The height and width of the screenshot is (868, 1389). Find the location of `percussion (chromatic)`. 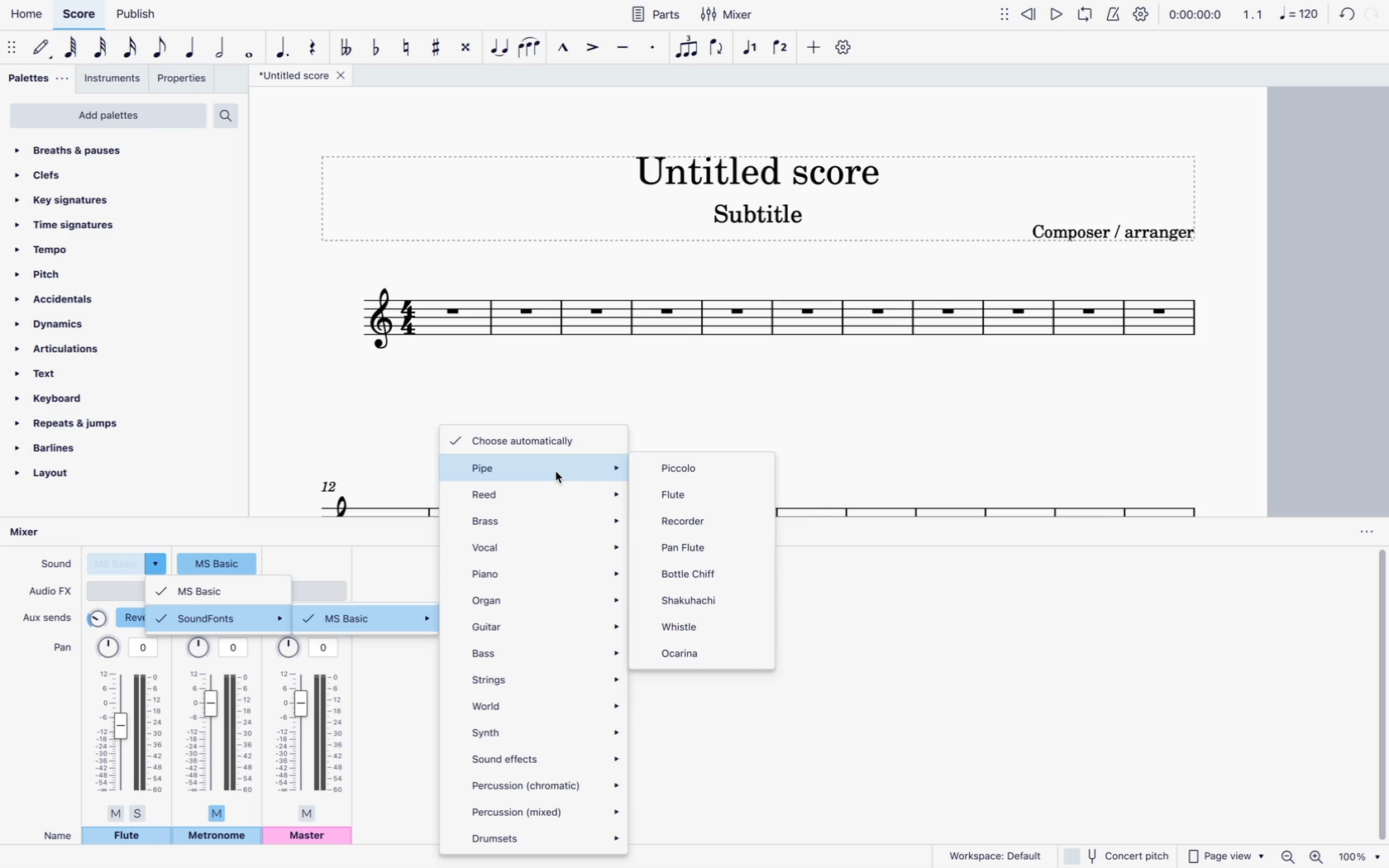

percussion (chromatic) is located at coordinates (547, 782).